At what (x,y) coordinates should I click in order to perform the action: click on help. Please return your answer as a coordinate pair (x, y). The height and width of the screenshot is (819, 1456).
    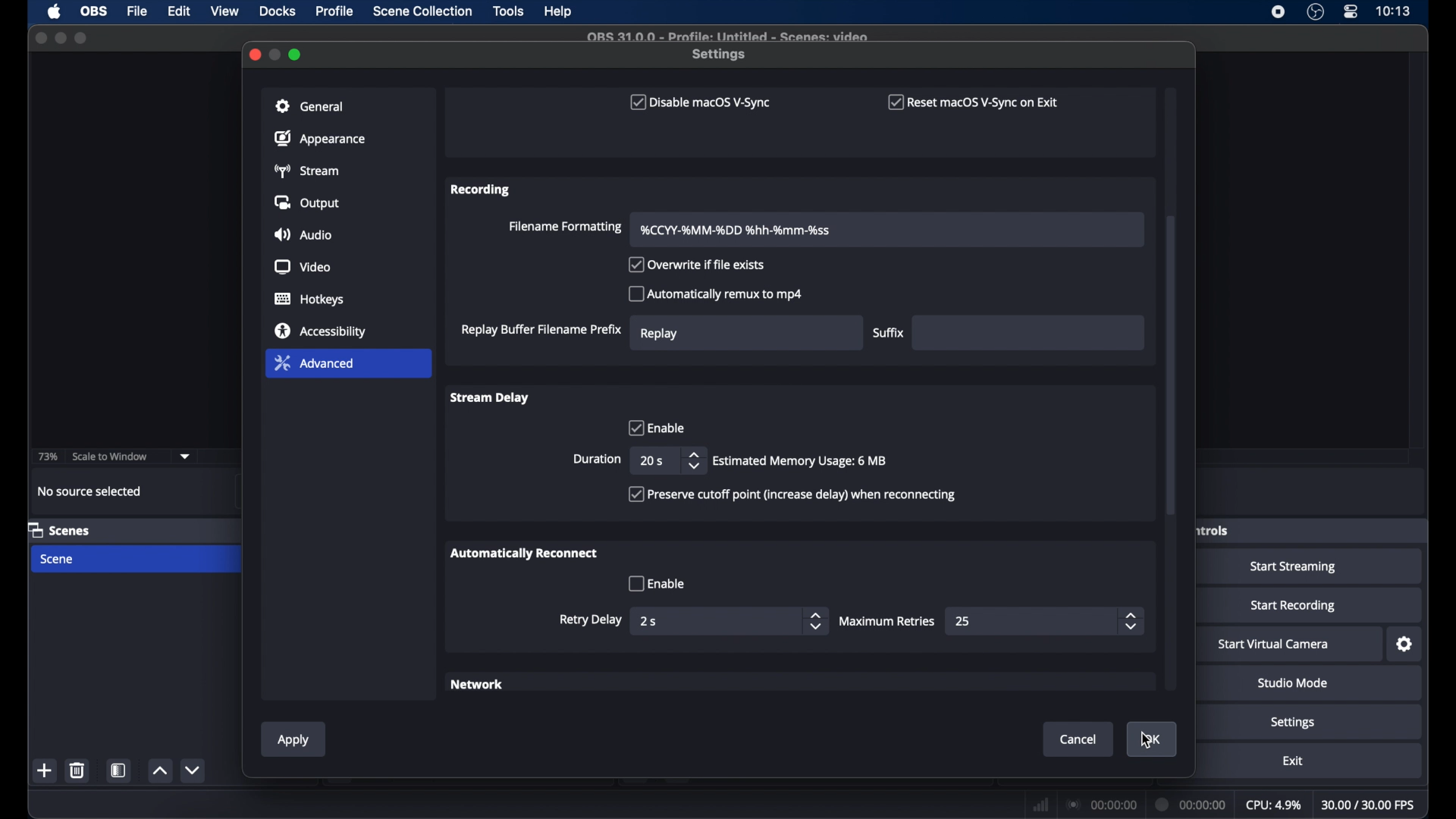
    Looking at the image, I should click on (559, 12).